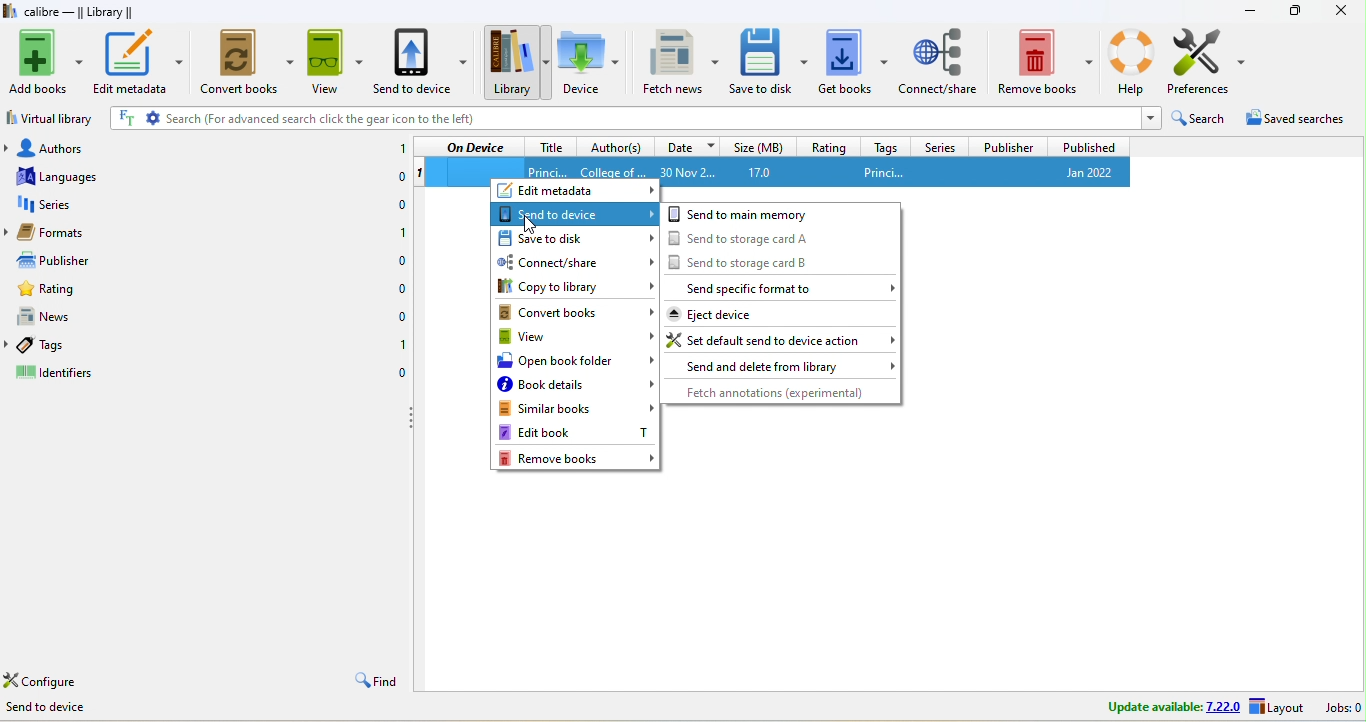 Image resolution: width=1366 pixels, height=722 pixels. I want to click on library, so click(515, 62).